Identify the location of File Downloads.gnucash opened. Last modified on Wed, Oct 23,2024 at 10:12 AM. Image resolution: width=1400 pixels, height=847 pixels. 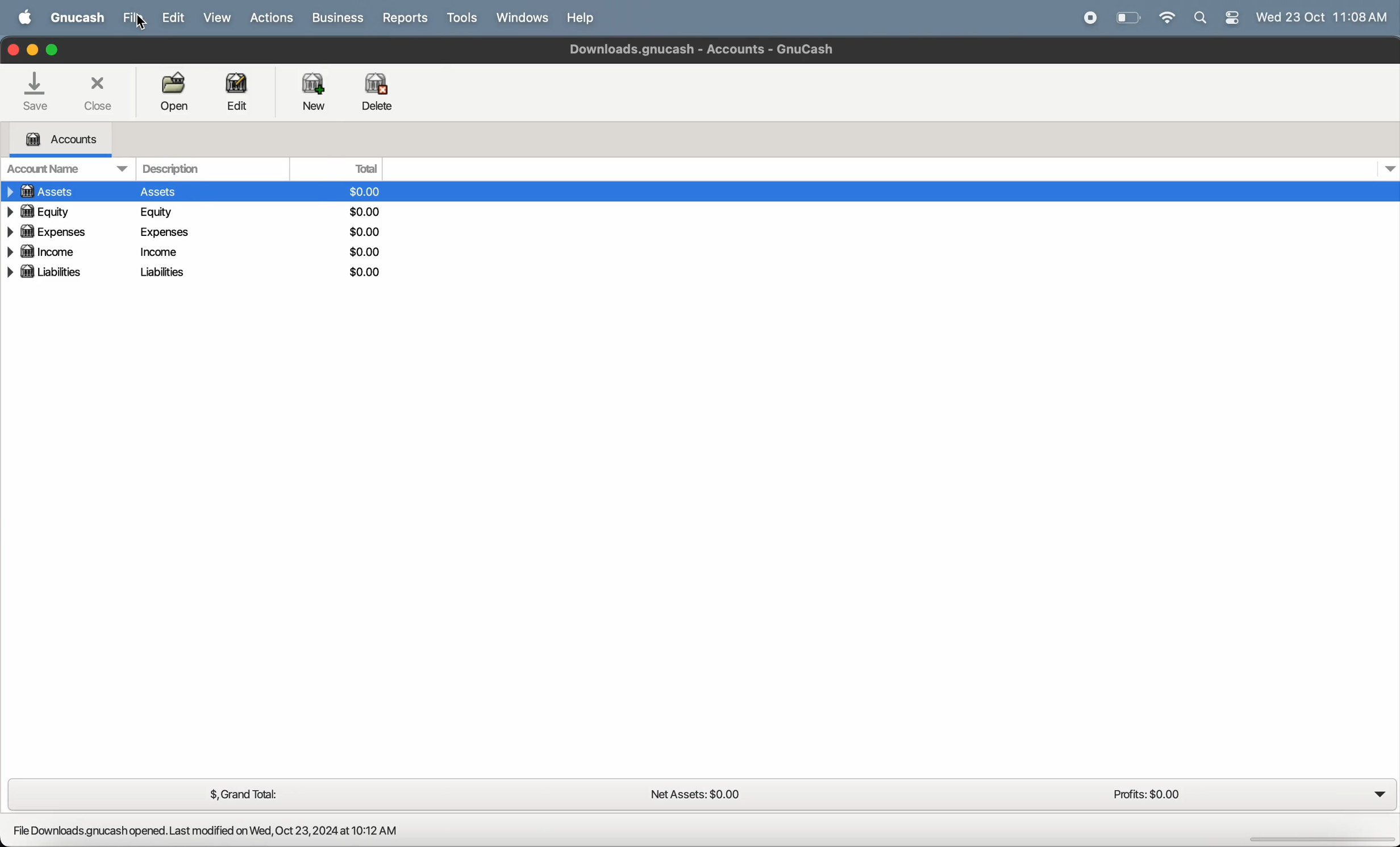
(213, 828).